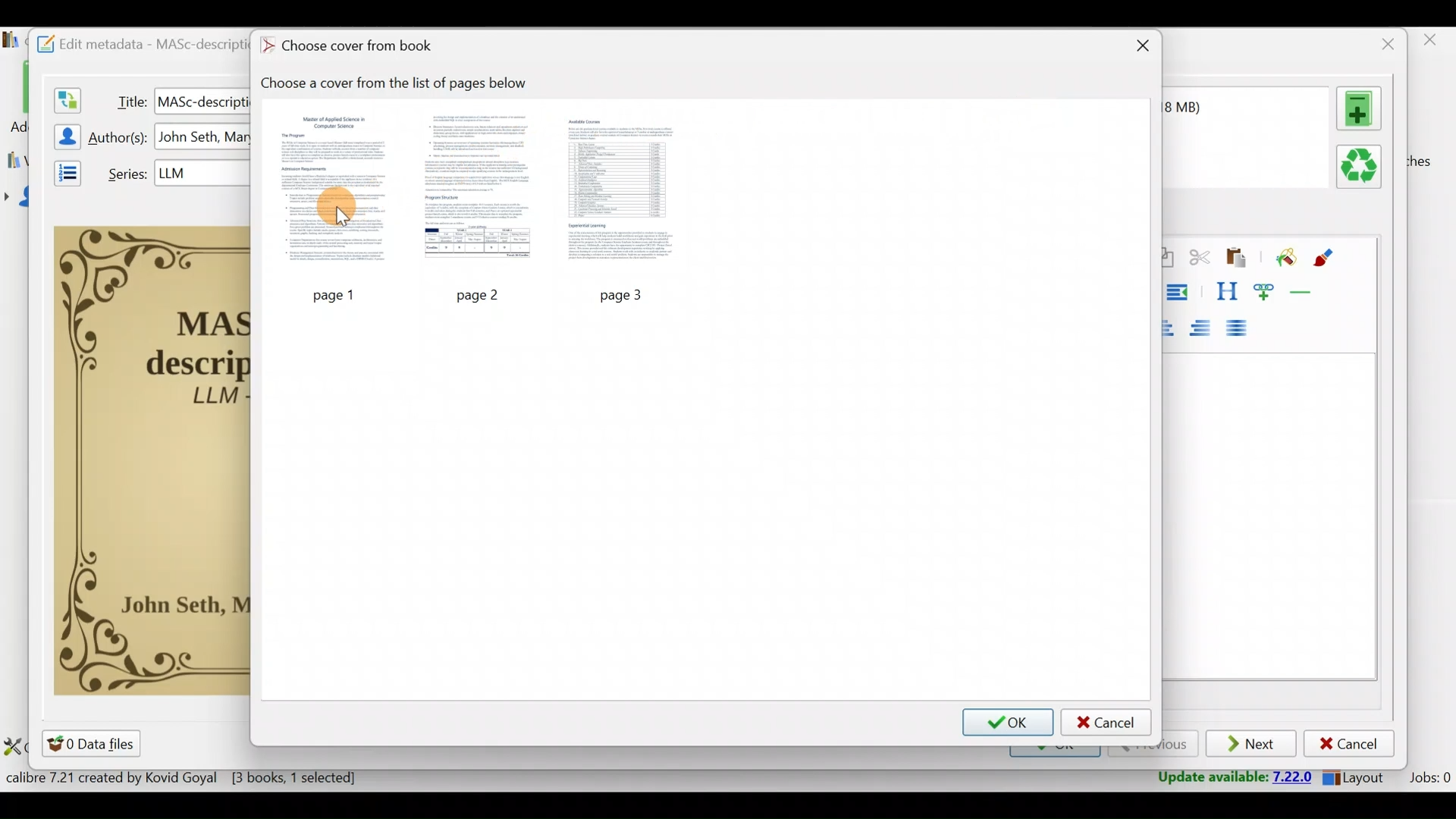 This screenshot has height=819, width=1456. Describe the element at coordinates (628, 293) in the screenshot. I see `` at that location.